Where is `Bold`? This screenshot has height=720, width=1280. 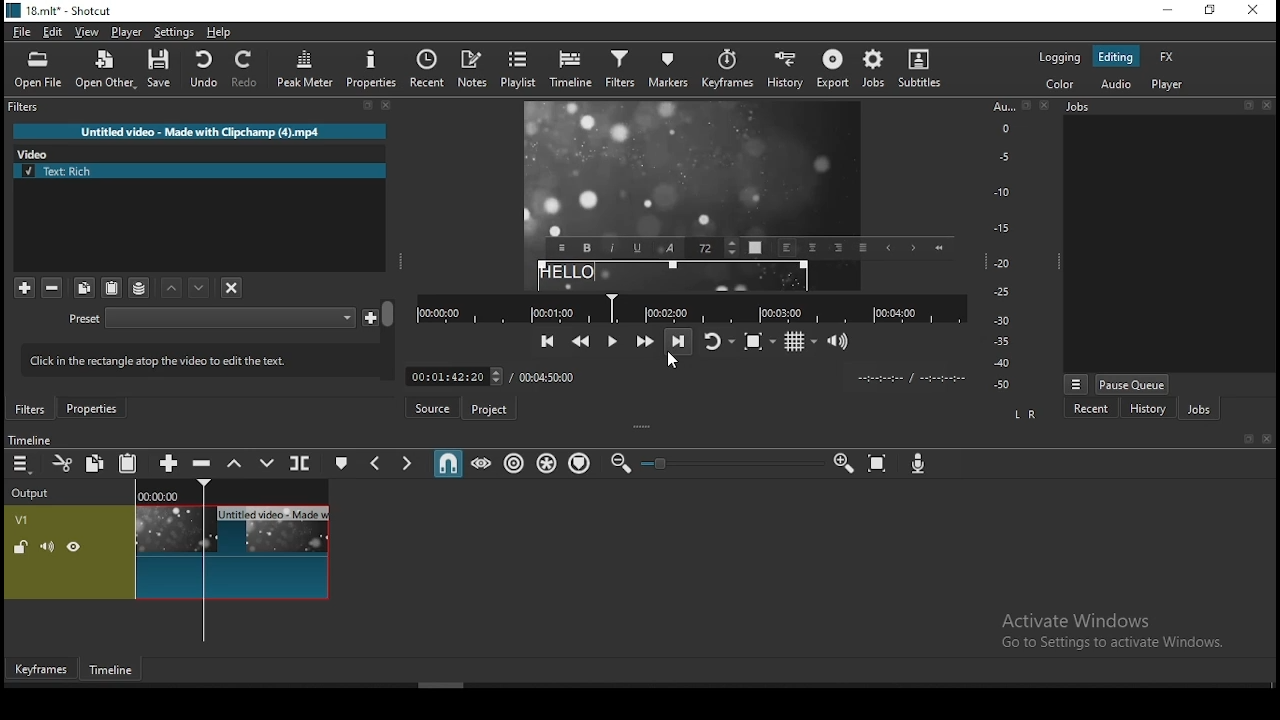 Bold is located at coordinates (587, 248).